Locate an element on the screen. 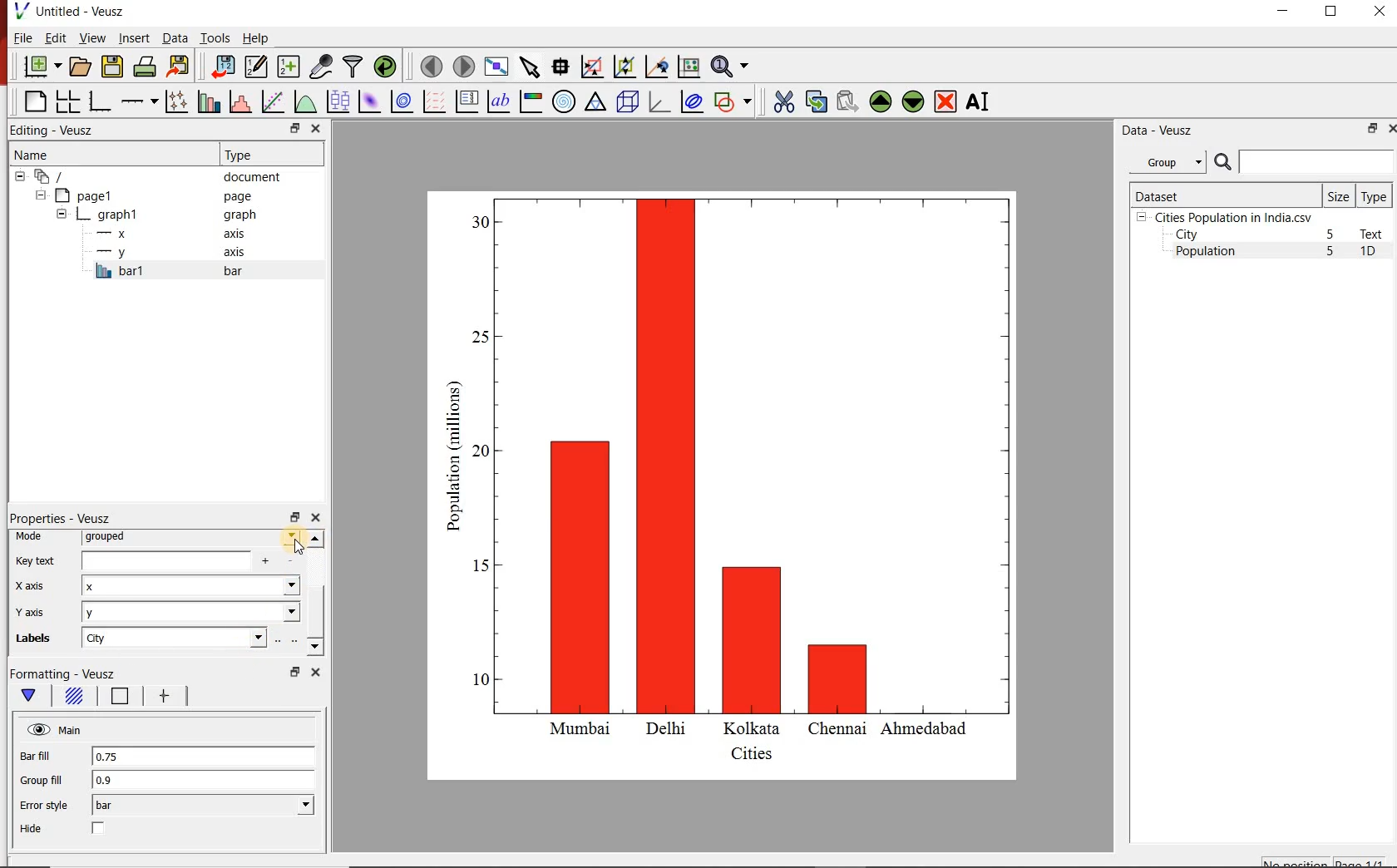 Image resolution: width=1397 pixels, height=868 pixels. reload linked datasets is located at coordinates (384, 67).